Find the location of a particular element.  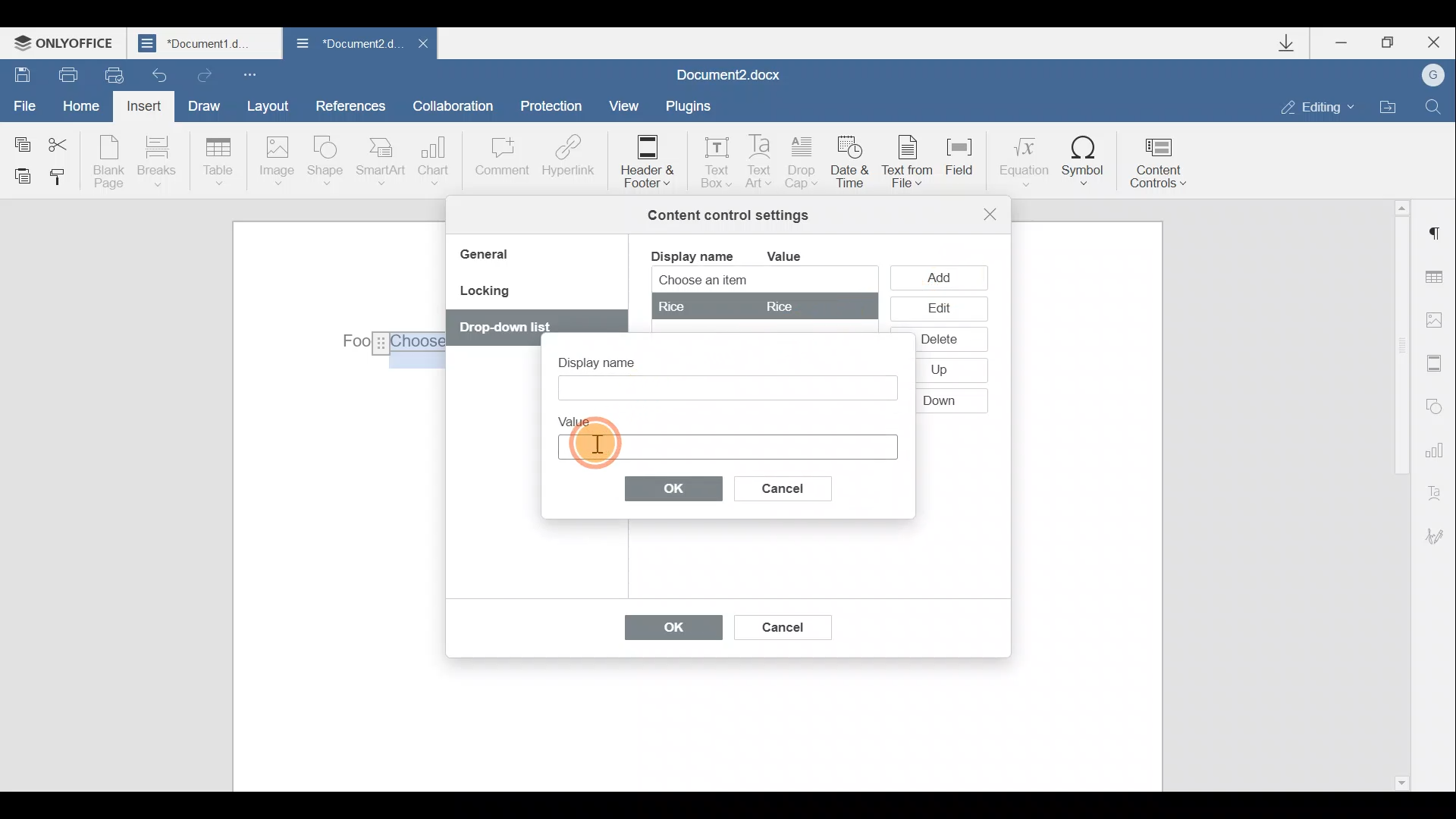

Blank page is located at coordinates (108, 162).